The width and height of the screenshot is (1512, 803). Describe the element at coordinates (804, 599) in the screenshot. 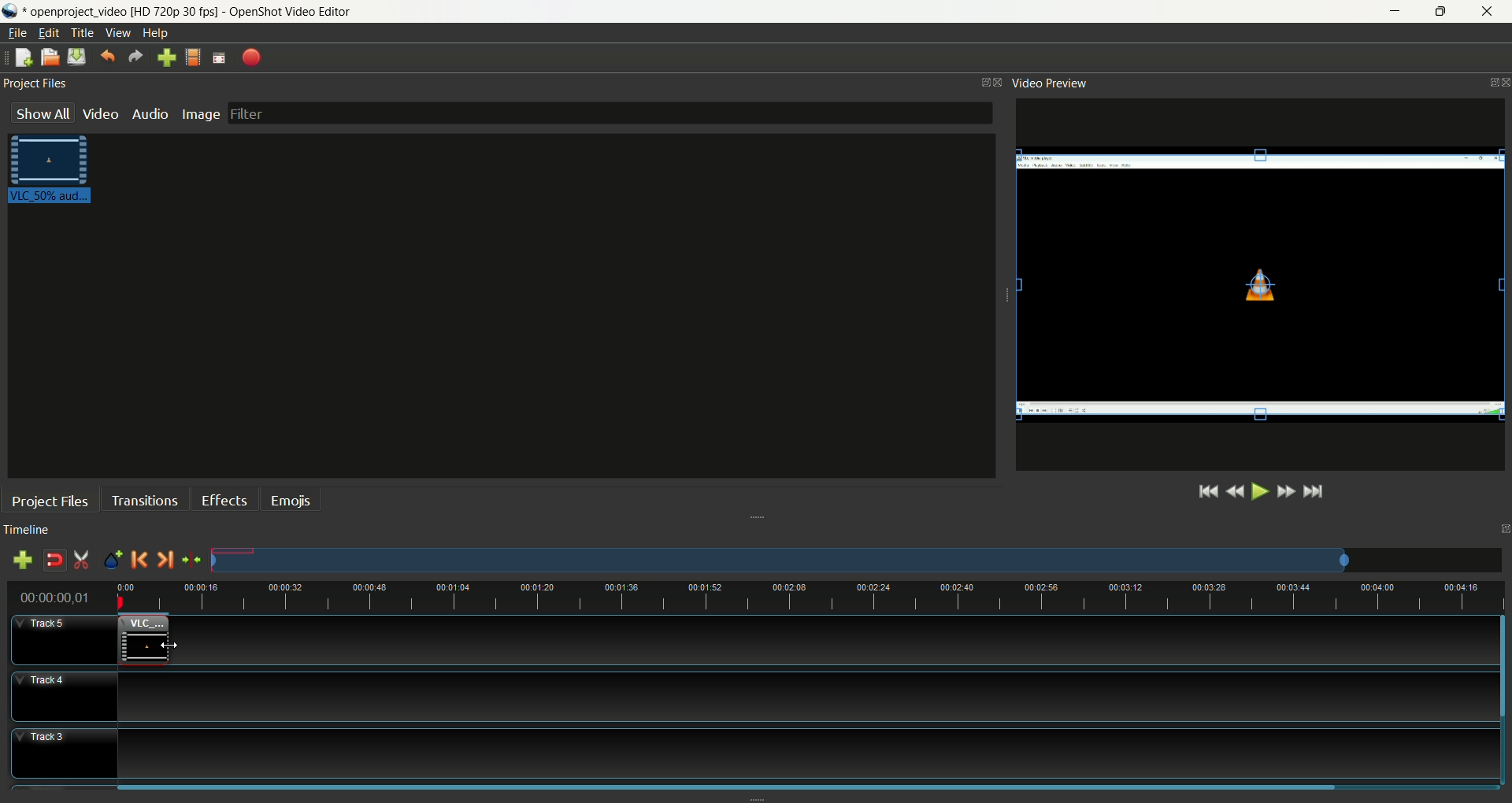

I see `zoom factor` at that location.